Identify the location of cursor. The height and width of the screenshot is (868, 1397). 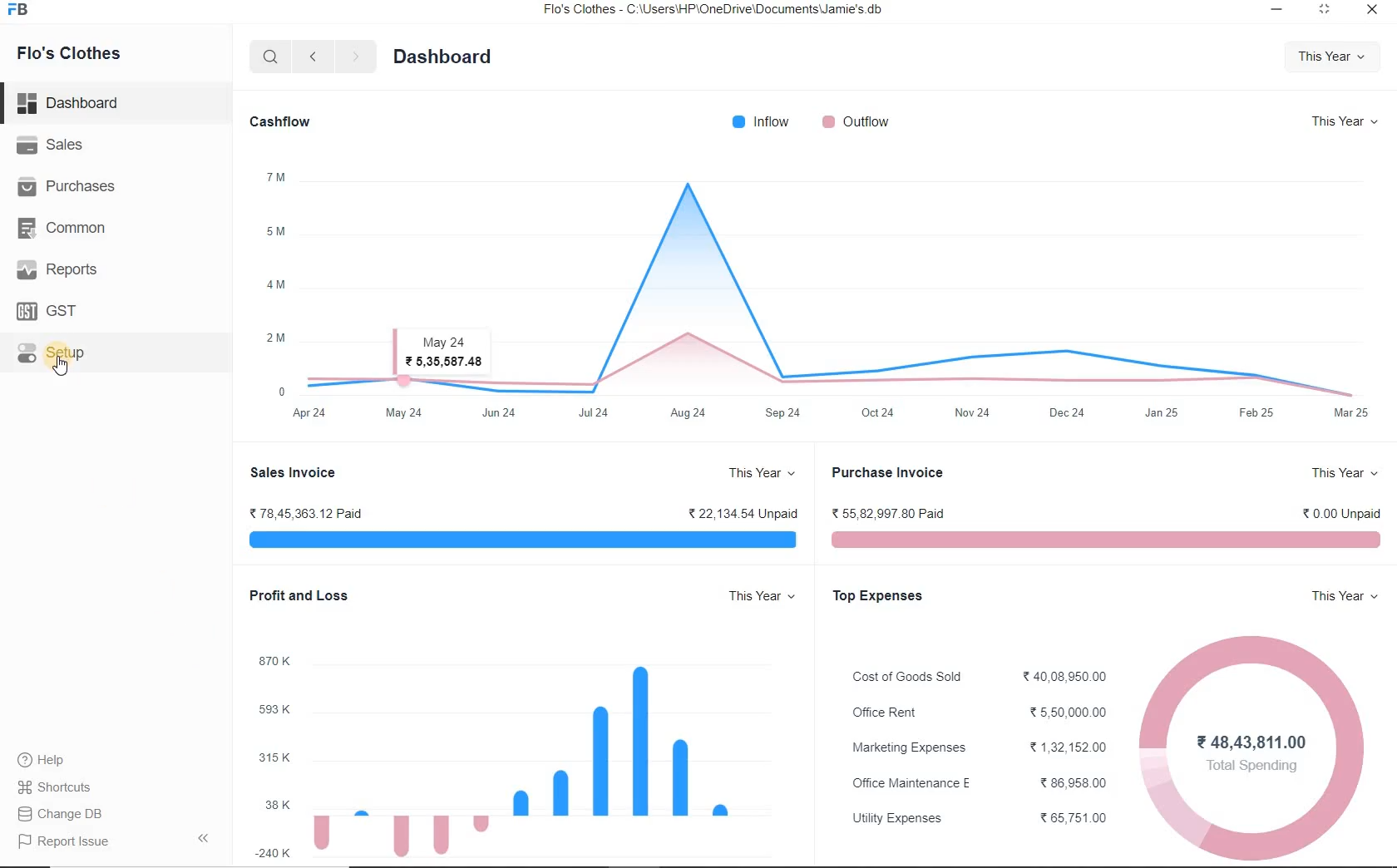
(64, 373).